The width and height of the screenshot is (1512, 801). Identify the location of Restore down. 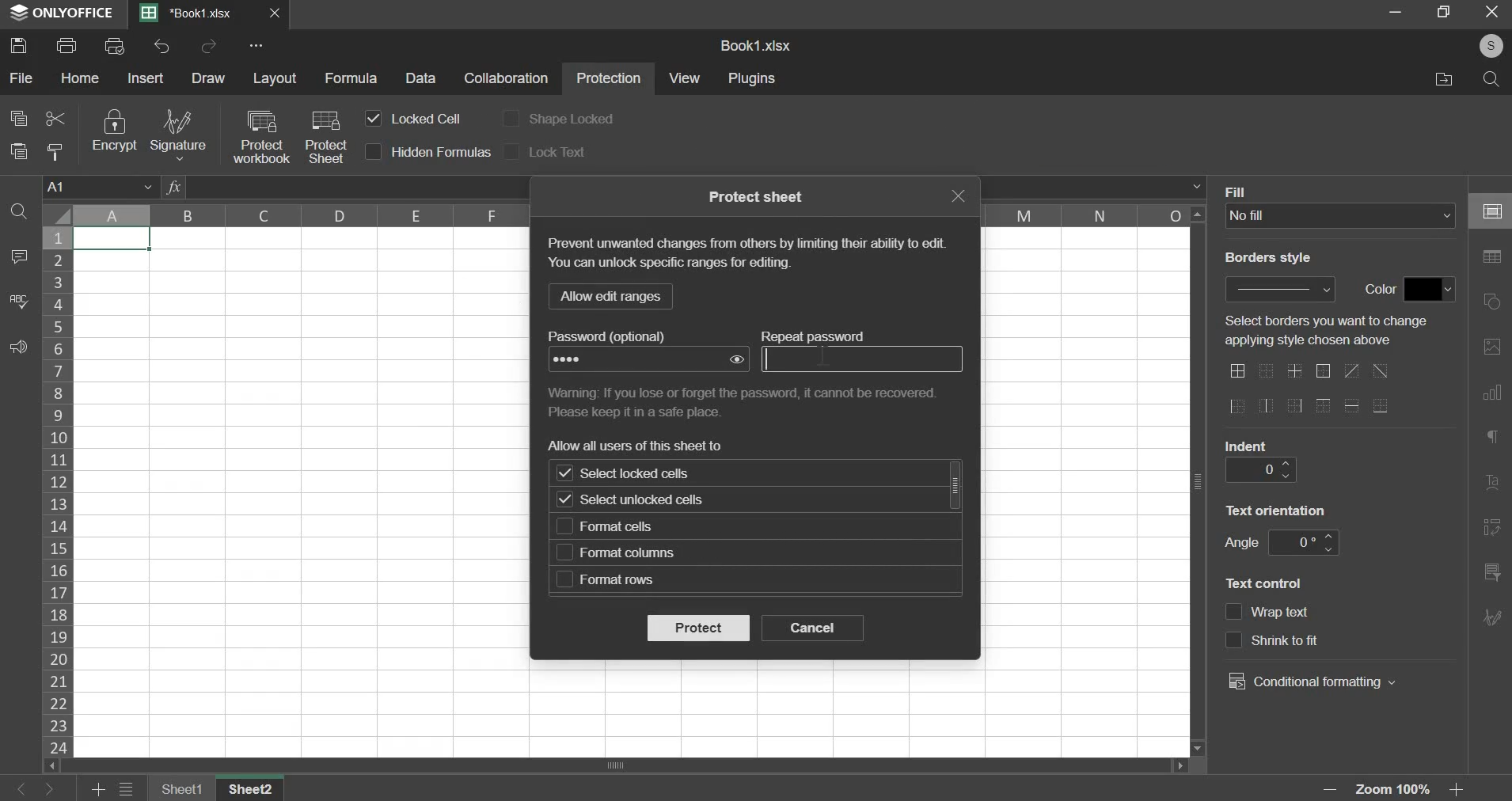
(1396, 11).